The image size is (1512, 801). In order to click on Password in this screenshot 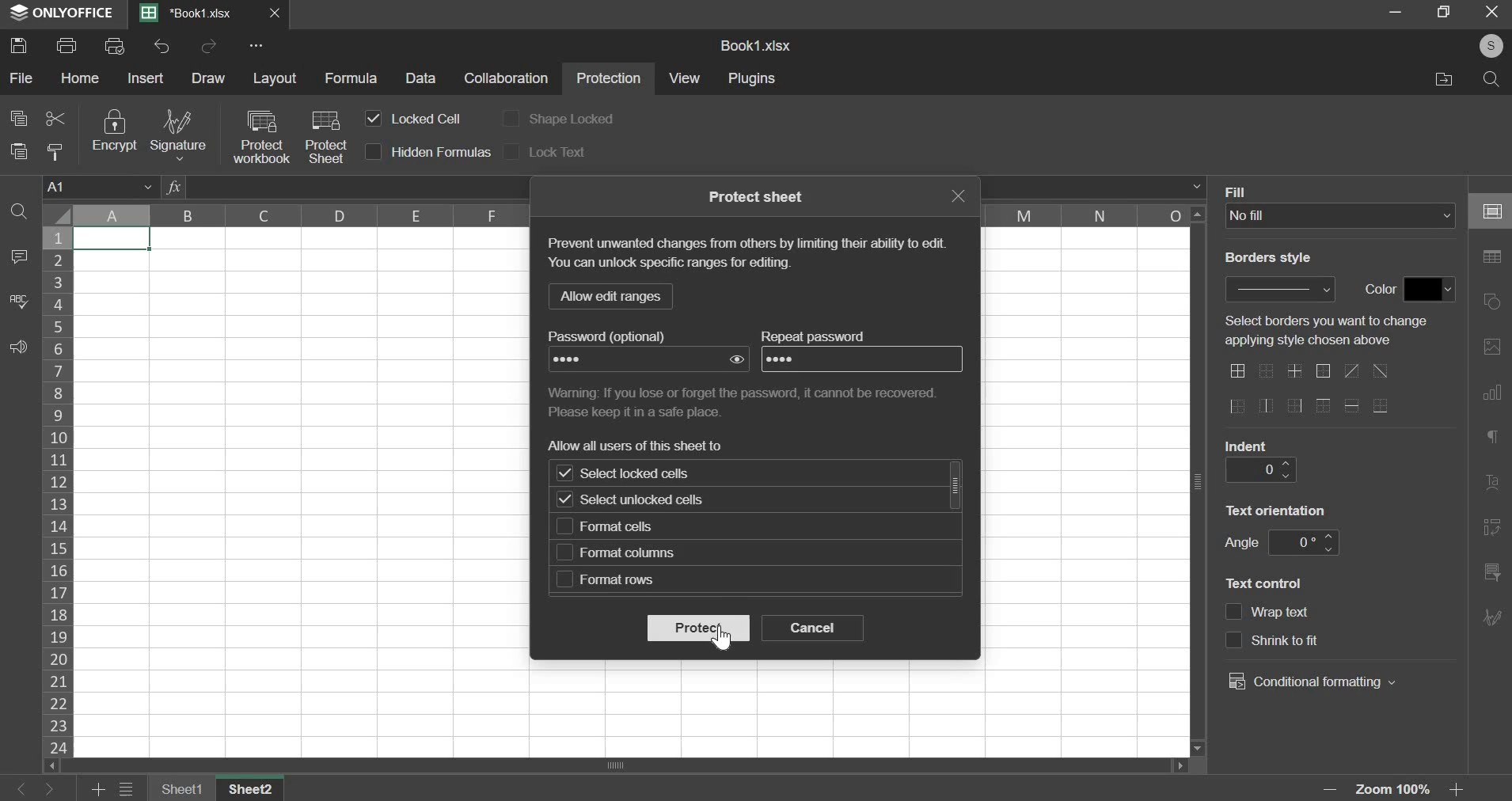, I will do `click(576, 359)`.